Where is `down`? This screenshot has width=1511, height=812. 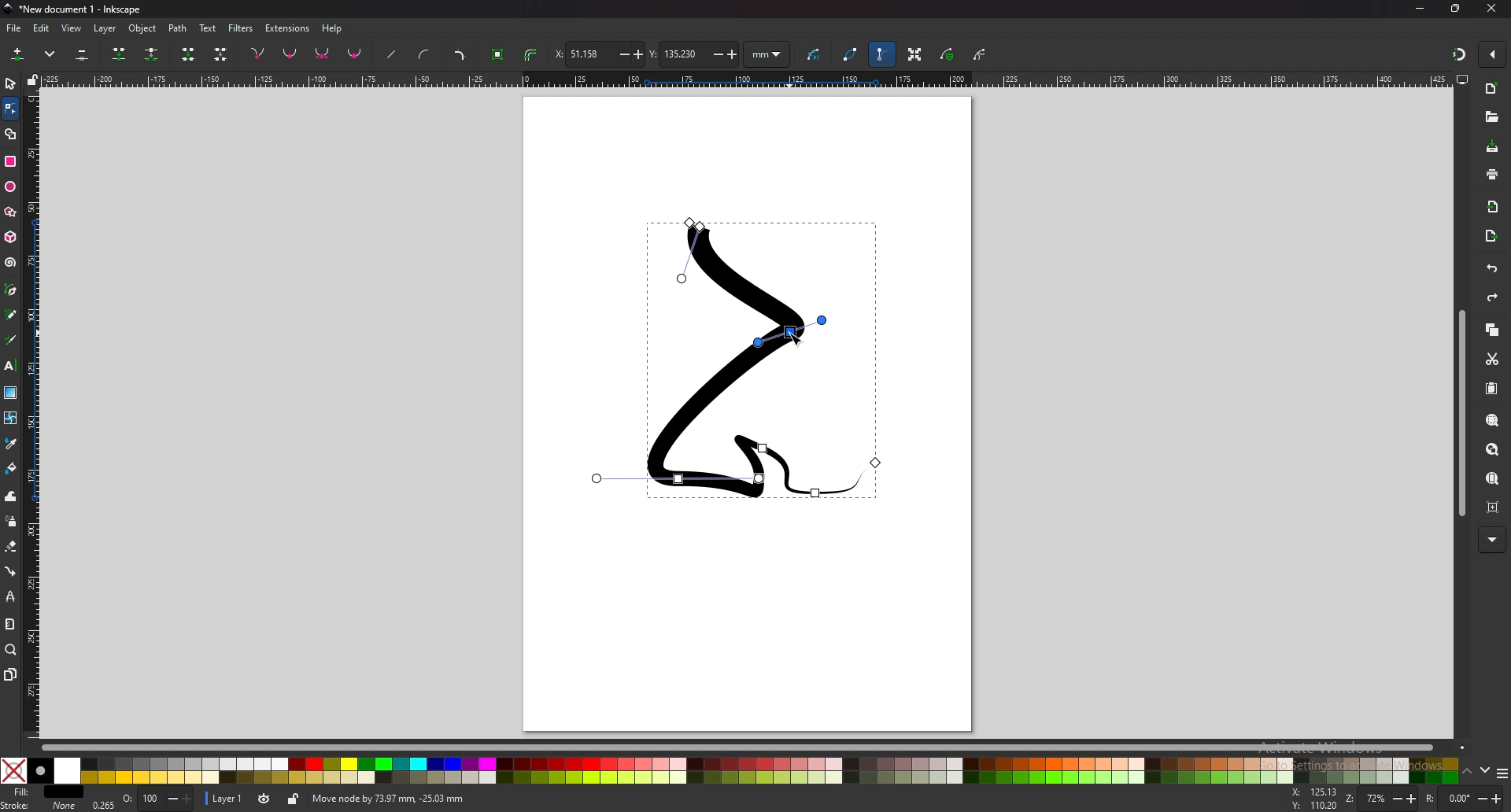
down is located at coordinates (1485, 771).